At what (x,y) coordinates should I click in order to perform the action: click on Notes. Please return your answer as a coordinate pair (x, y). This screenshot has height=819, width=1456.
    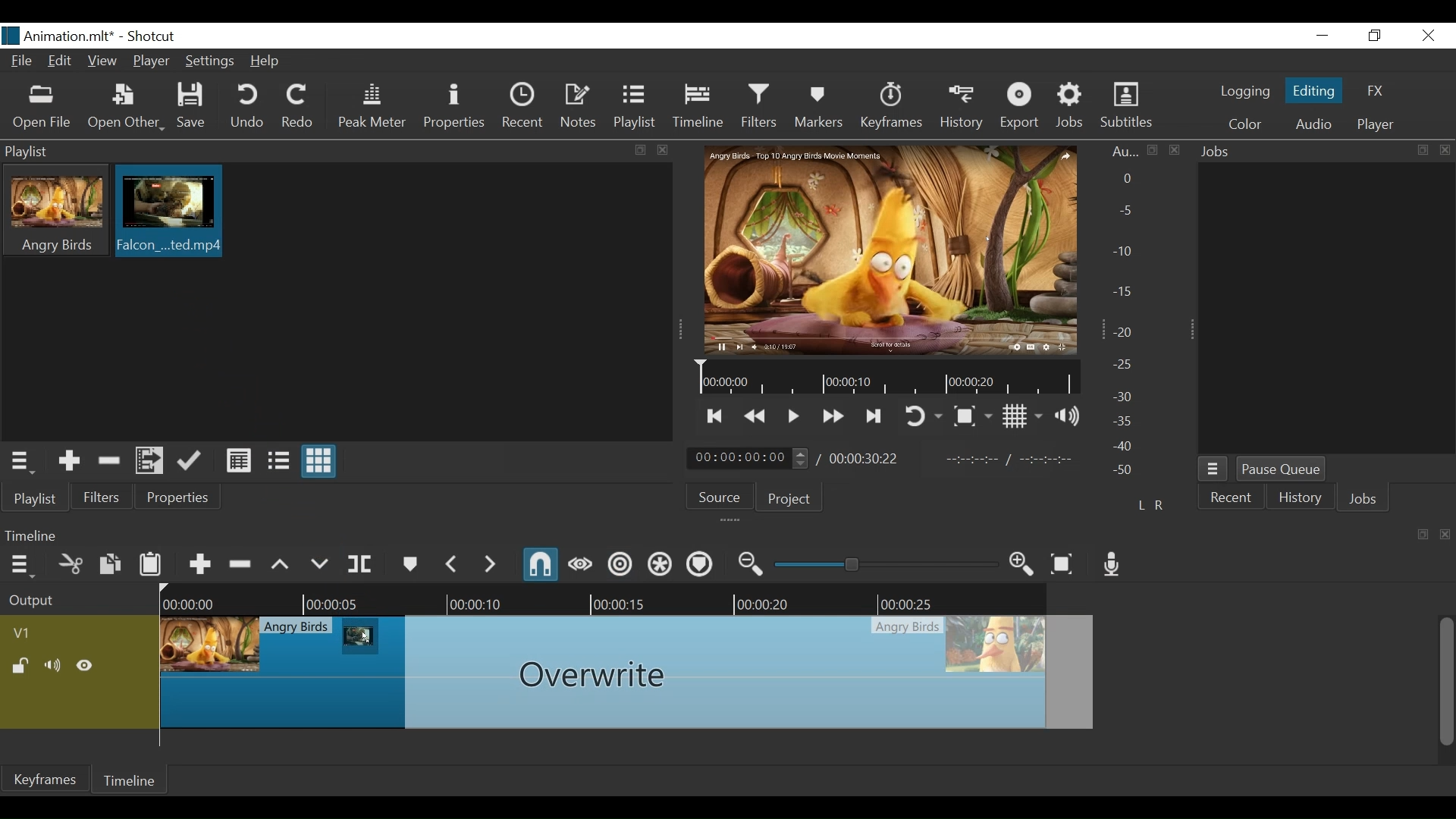
    Looking at the image, I should click on (579, 106).